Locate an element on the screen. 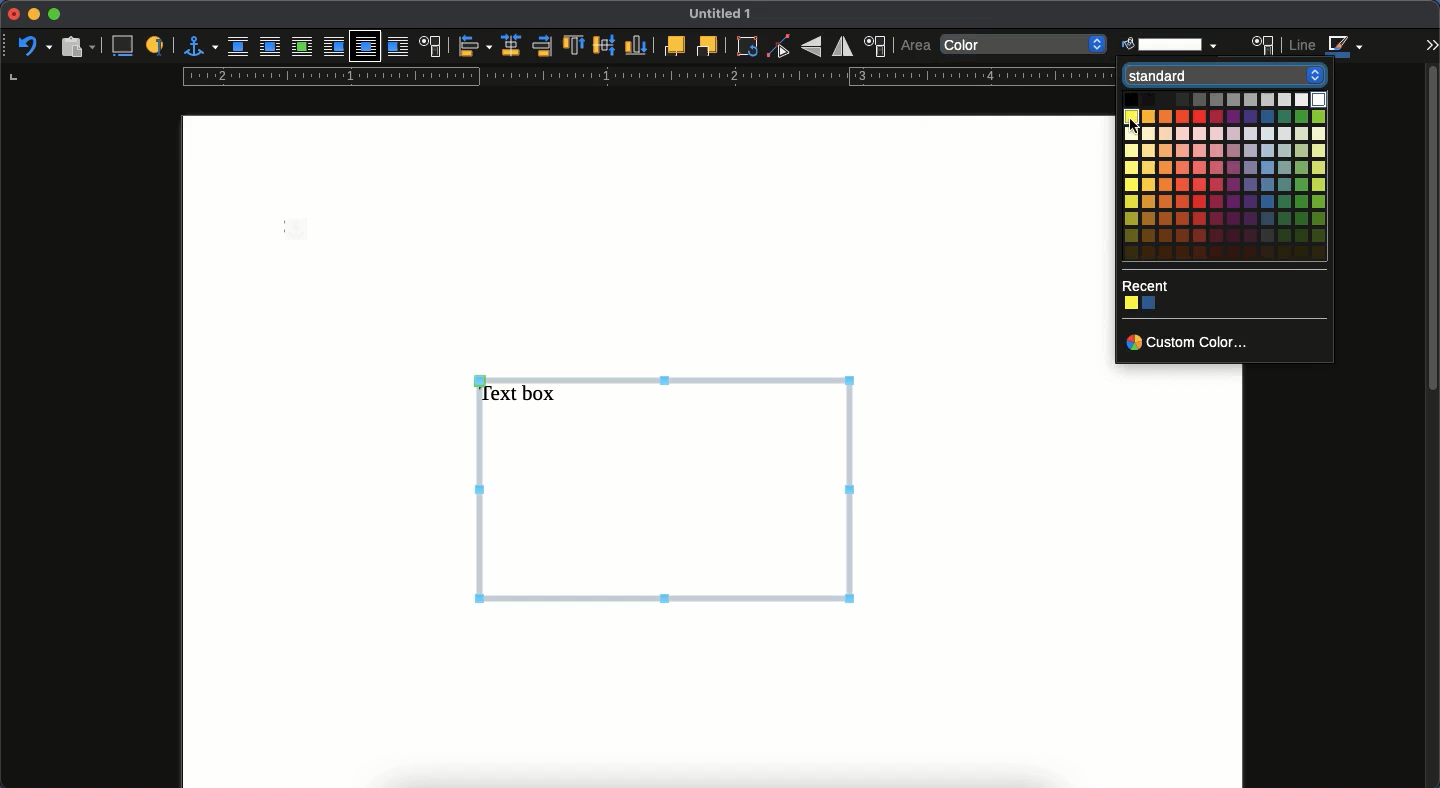  line color is located at coordinates (1328, 48).